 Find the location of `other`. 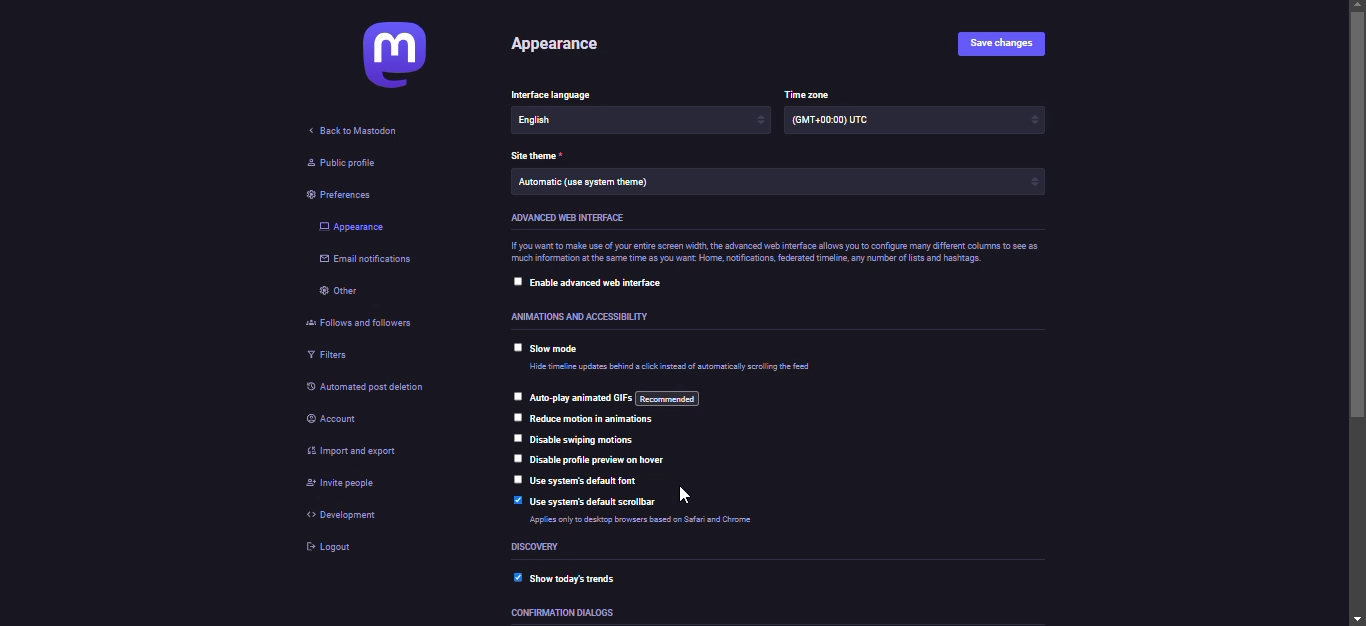

other is located at coordinates (340, 293).